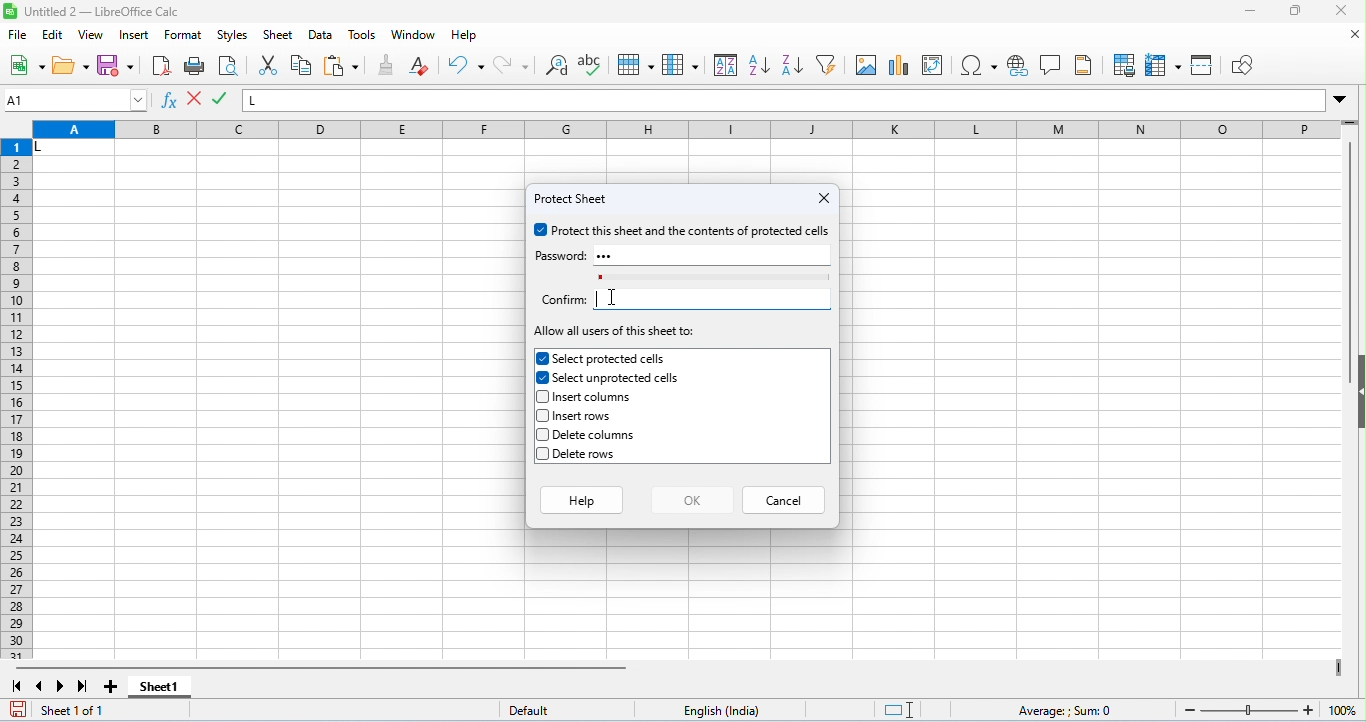 The height and width of the screenshot is (722, 1366). What do you see at coordinates (866, 65) in the screenshot?
I see `insert image` at bounding box center [866, 65].